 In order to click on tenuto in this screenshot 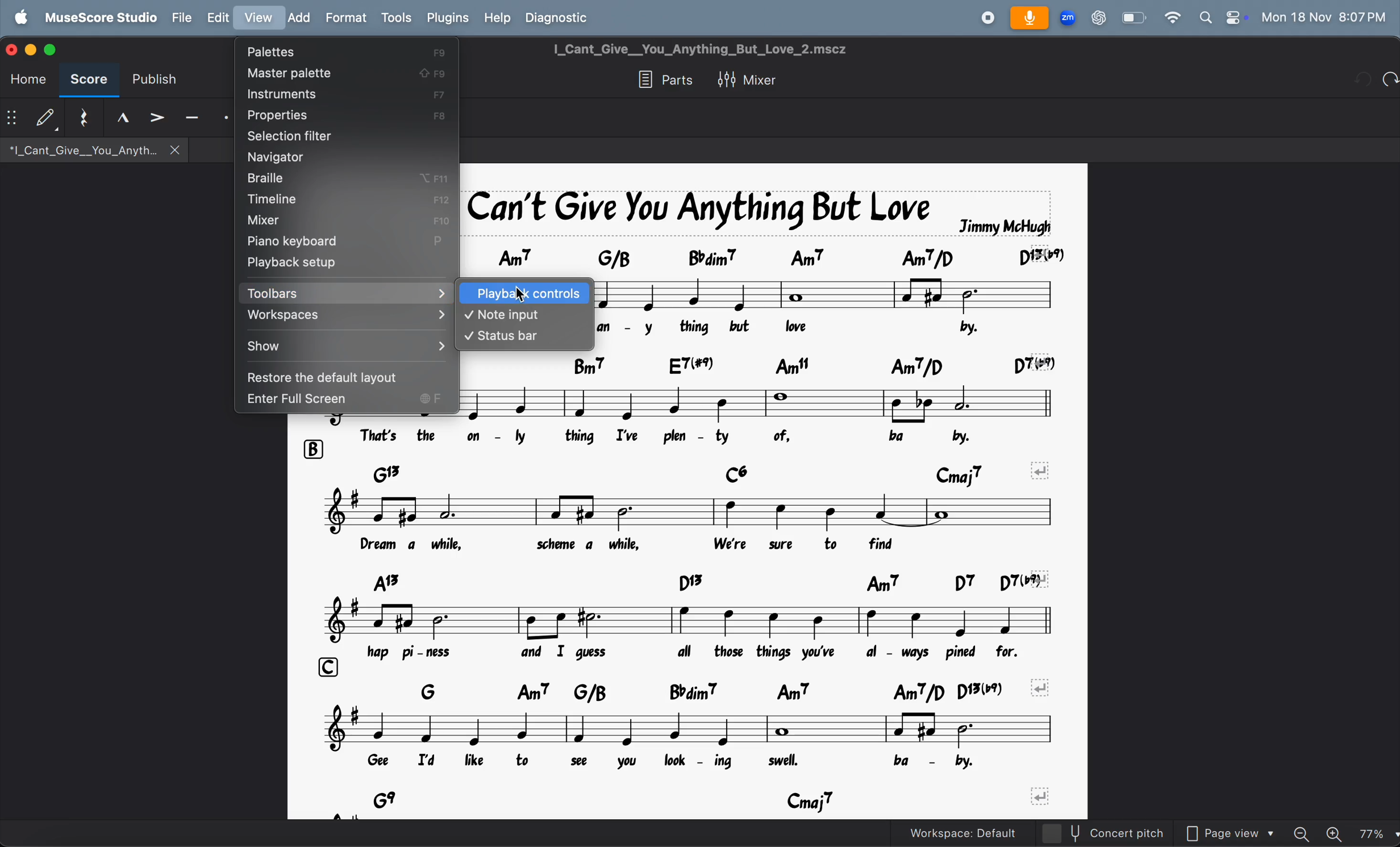, I will do `click(118, 119)`.